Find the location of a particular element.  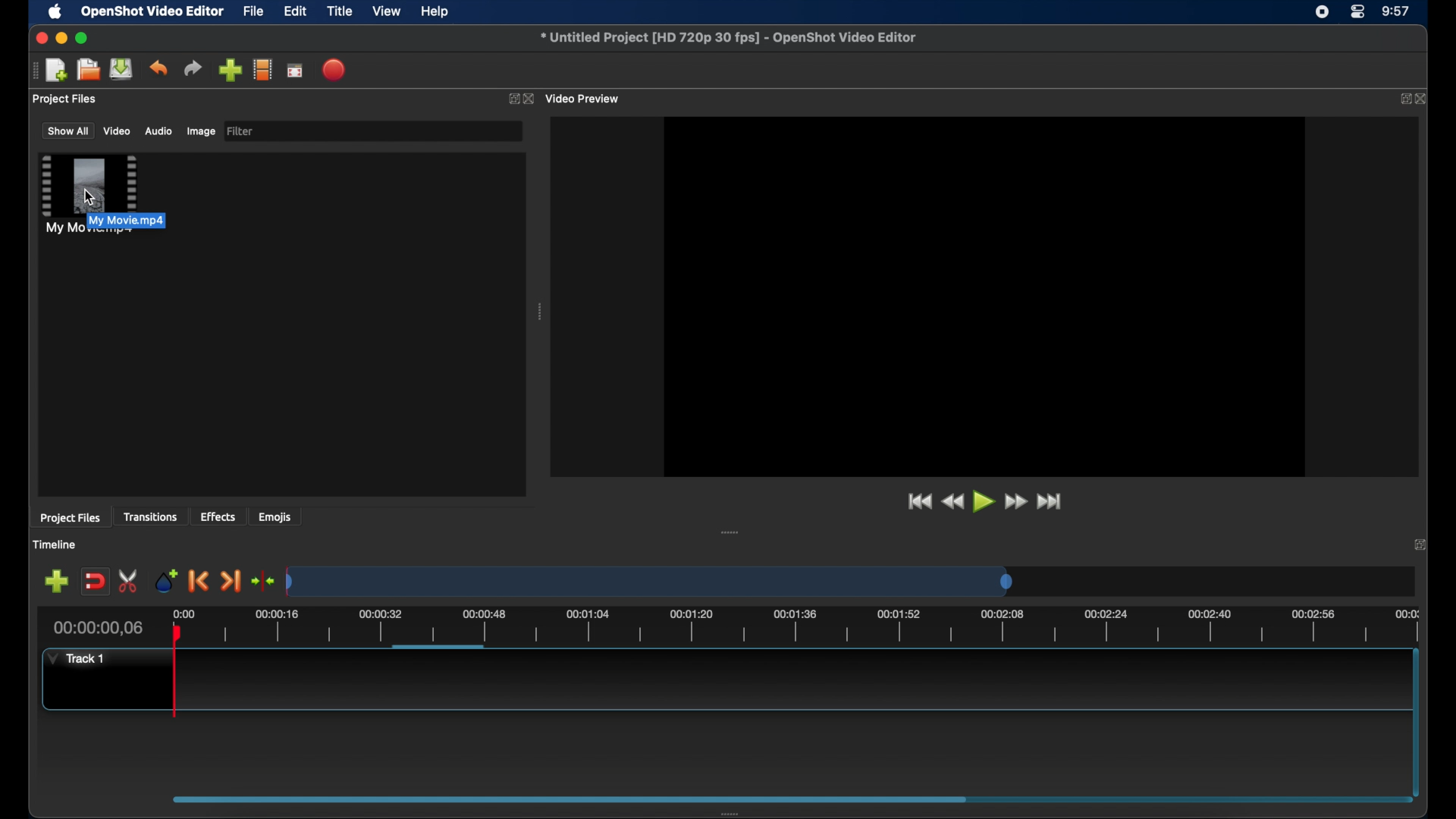

jumpt to  end is located at coordinates (1050, 501).